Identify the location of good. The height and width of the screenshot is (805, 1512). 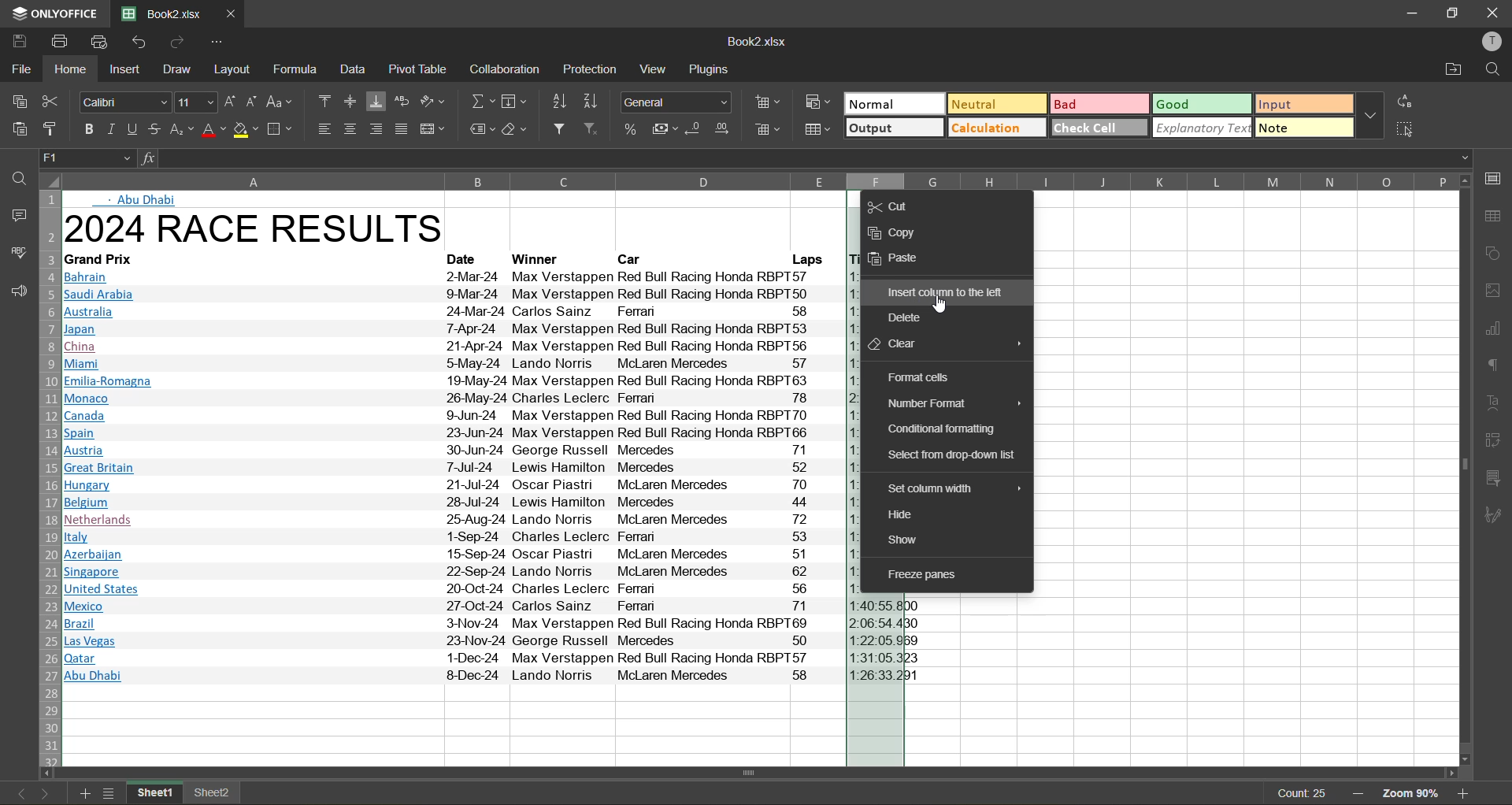
(1200, 105).